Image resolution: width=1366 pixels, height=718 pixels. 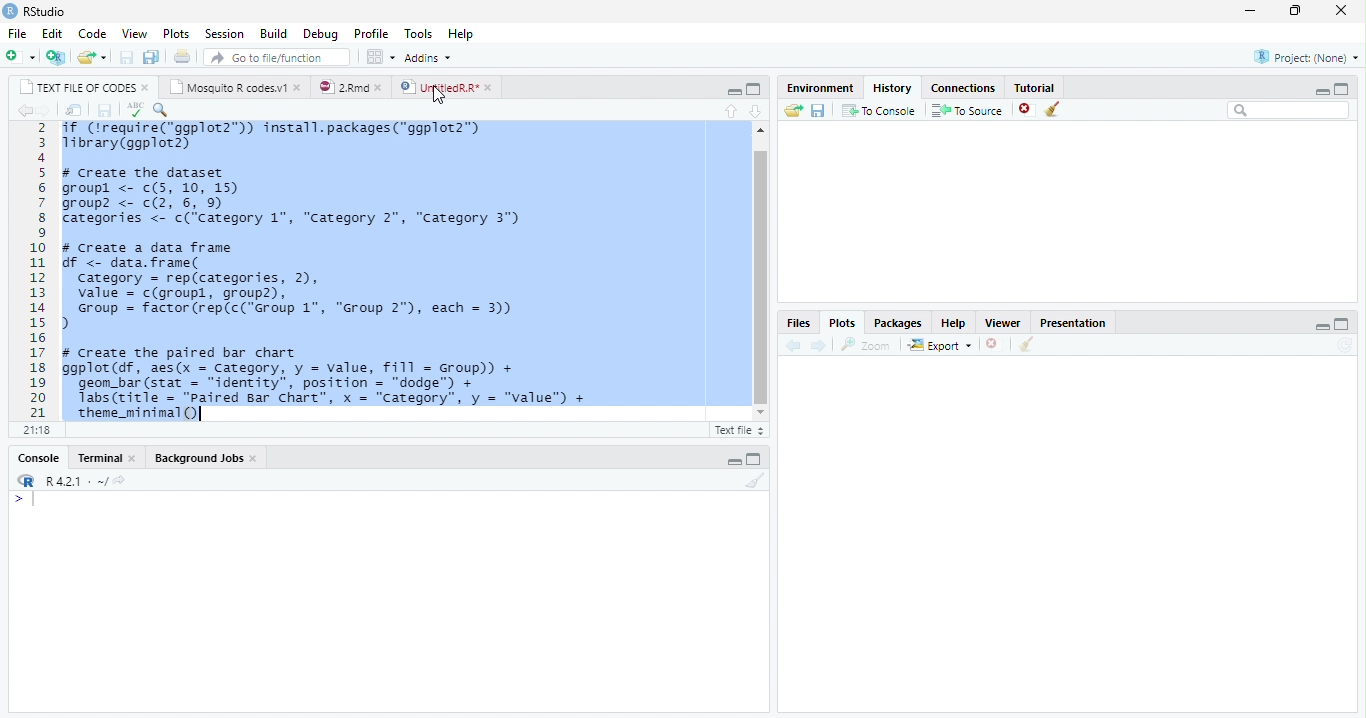 What do you see at coordinates (1083, 321) in the screenshot?
I see `presentation` at bounding box center [1083, 321].